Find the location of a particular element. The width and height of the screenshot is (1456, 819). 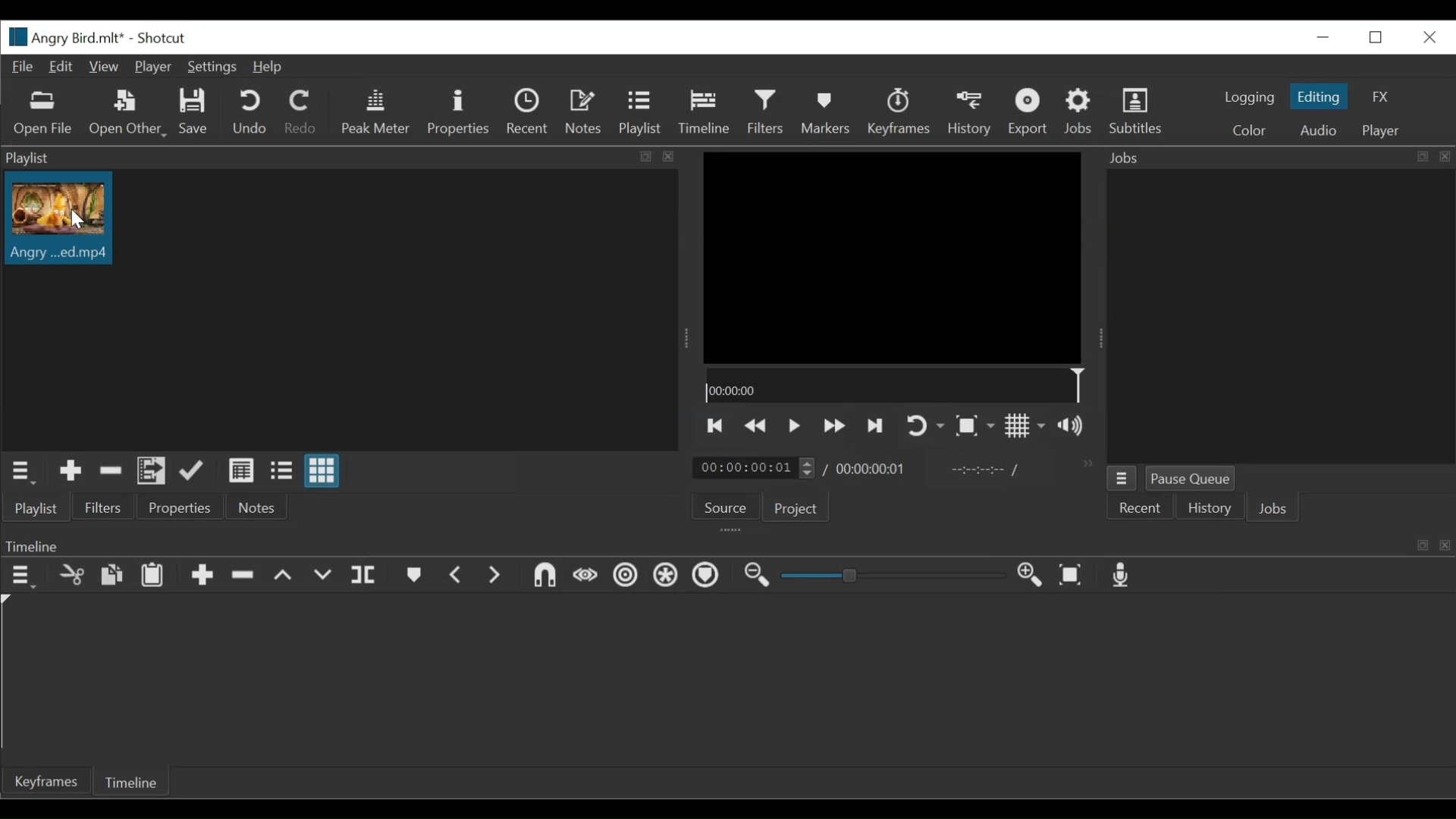

Skip to the next point is located at coordinates (876, 425).